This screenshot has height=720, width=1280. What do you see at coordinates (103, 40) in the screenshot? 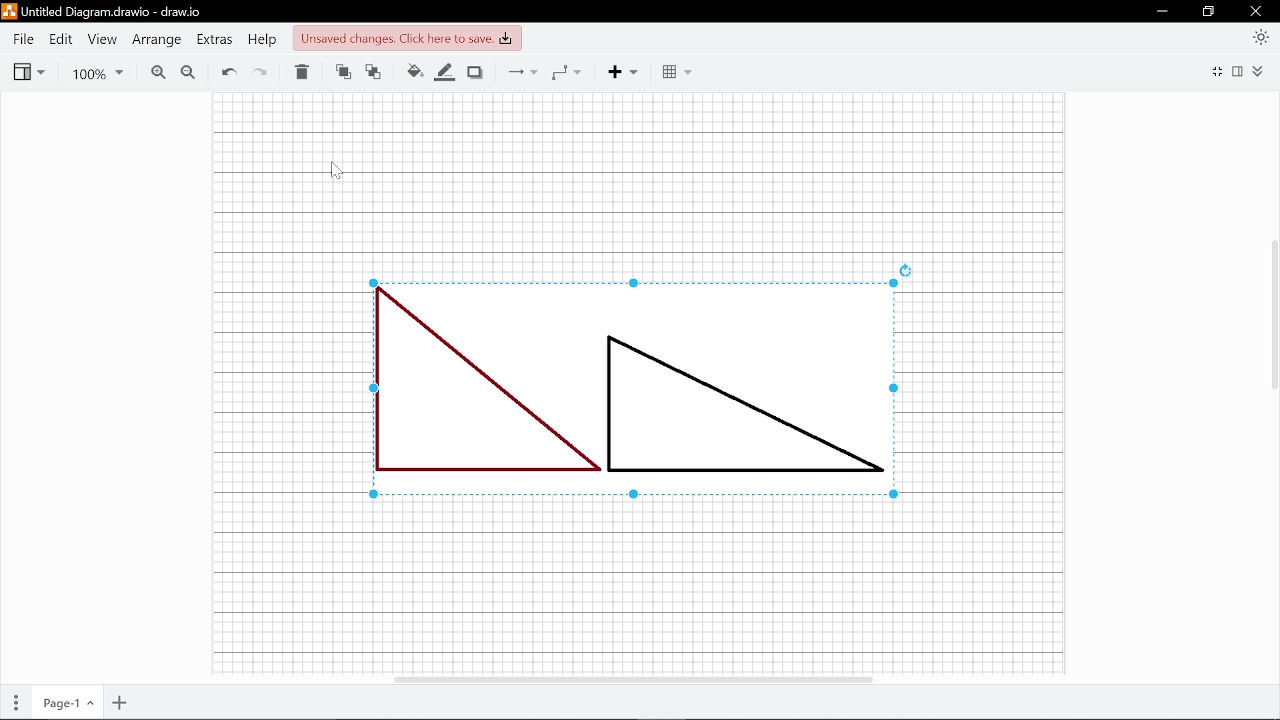
I see `View` at bounding box center [103, 40].